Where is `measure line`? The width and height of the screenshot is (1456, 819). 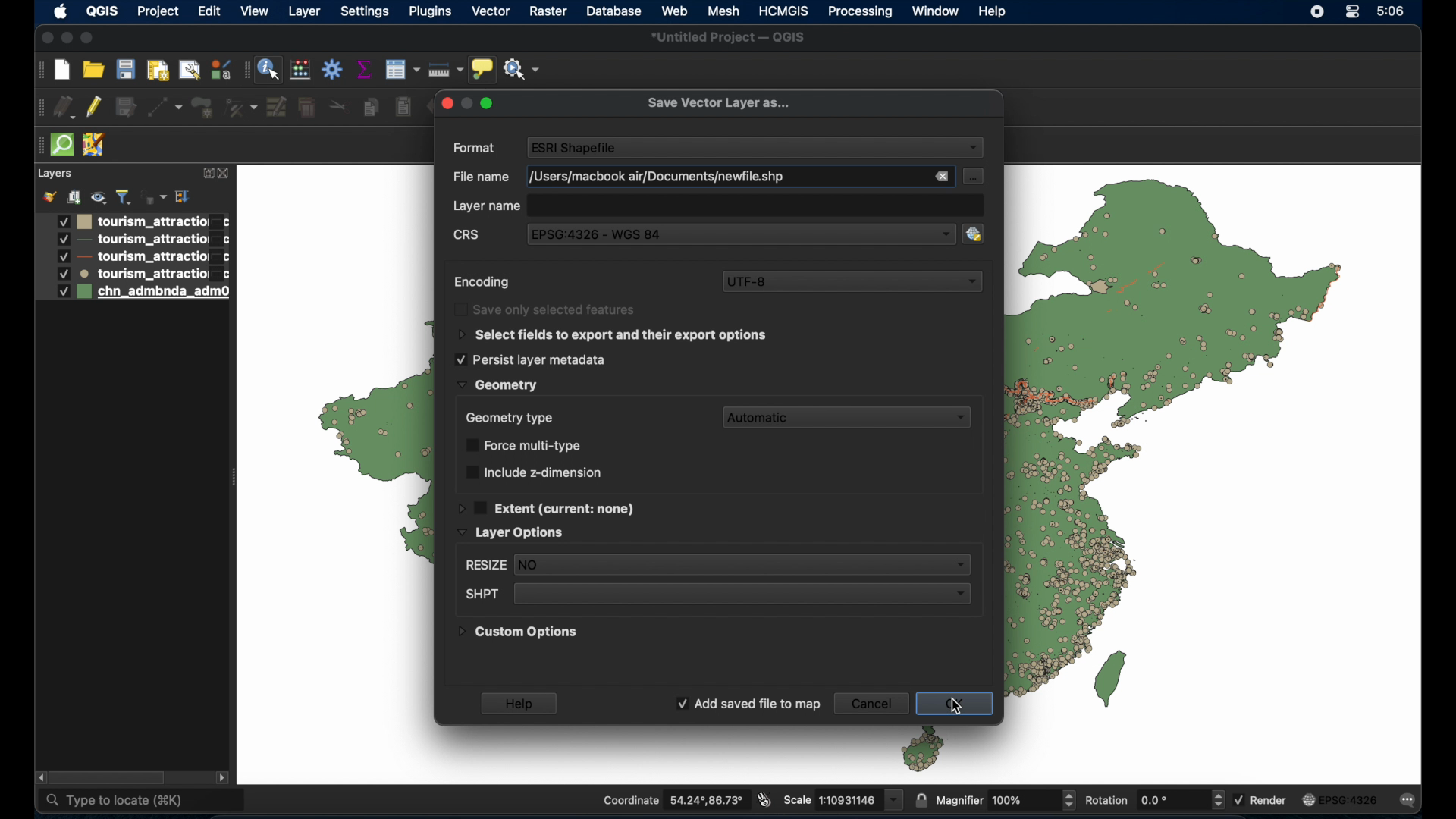 measure line is located at coordinates (446, 68).